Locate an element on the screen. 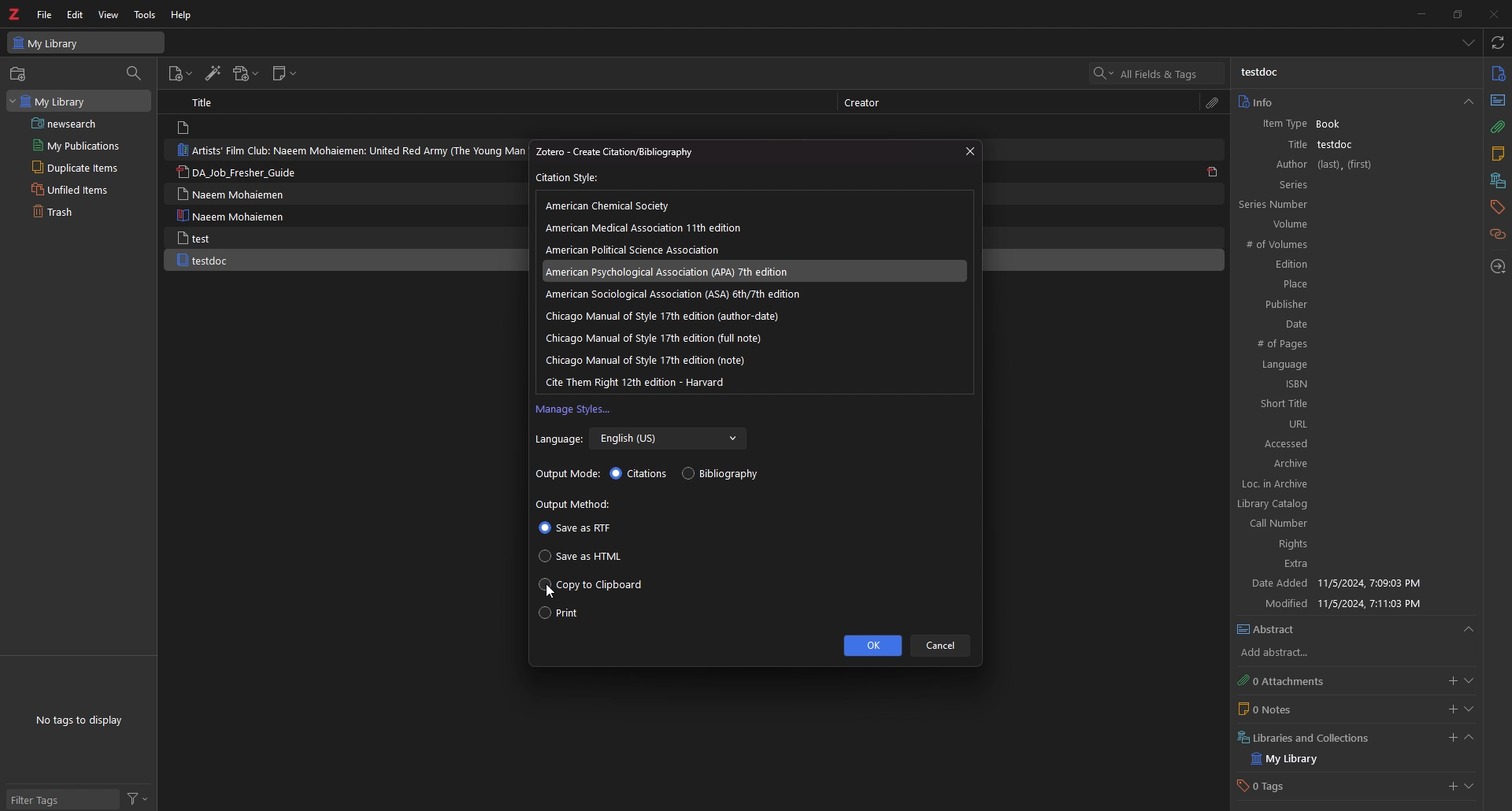 The image size is (1512, 811). close is located at coordinates (968, 151).